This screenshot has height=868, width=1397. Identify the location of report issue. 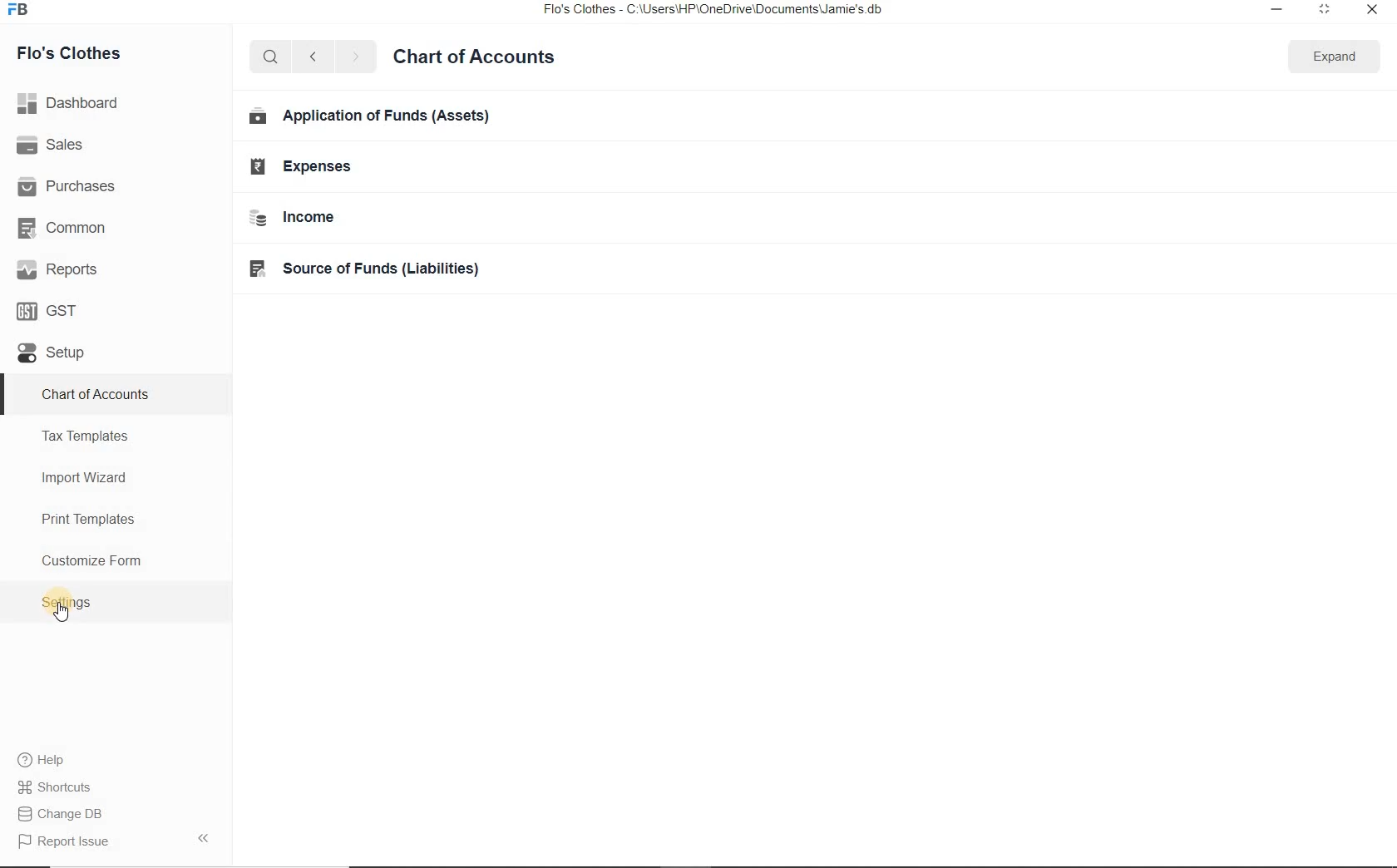
(72, 842).